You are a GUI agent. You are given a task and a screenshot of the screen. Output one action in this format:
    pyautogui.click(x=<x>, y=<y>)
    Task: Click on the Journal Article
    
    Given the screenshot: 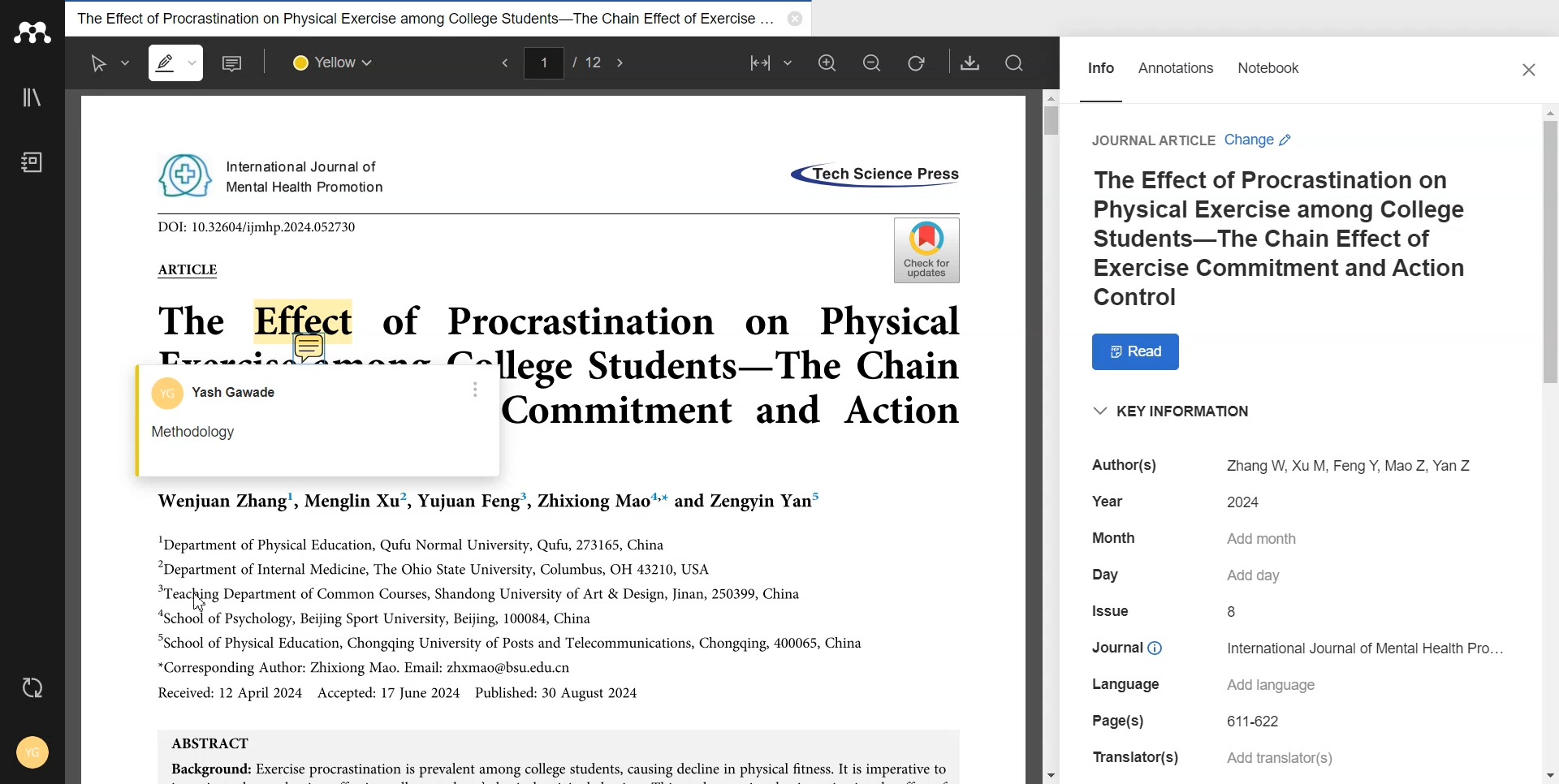 What is the action you would take?
    pyautogui.click(x=1151, y=140)
    